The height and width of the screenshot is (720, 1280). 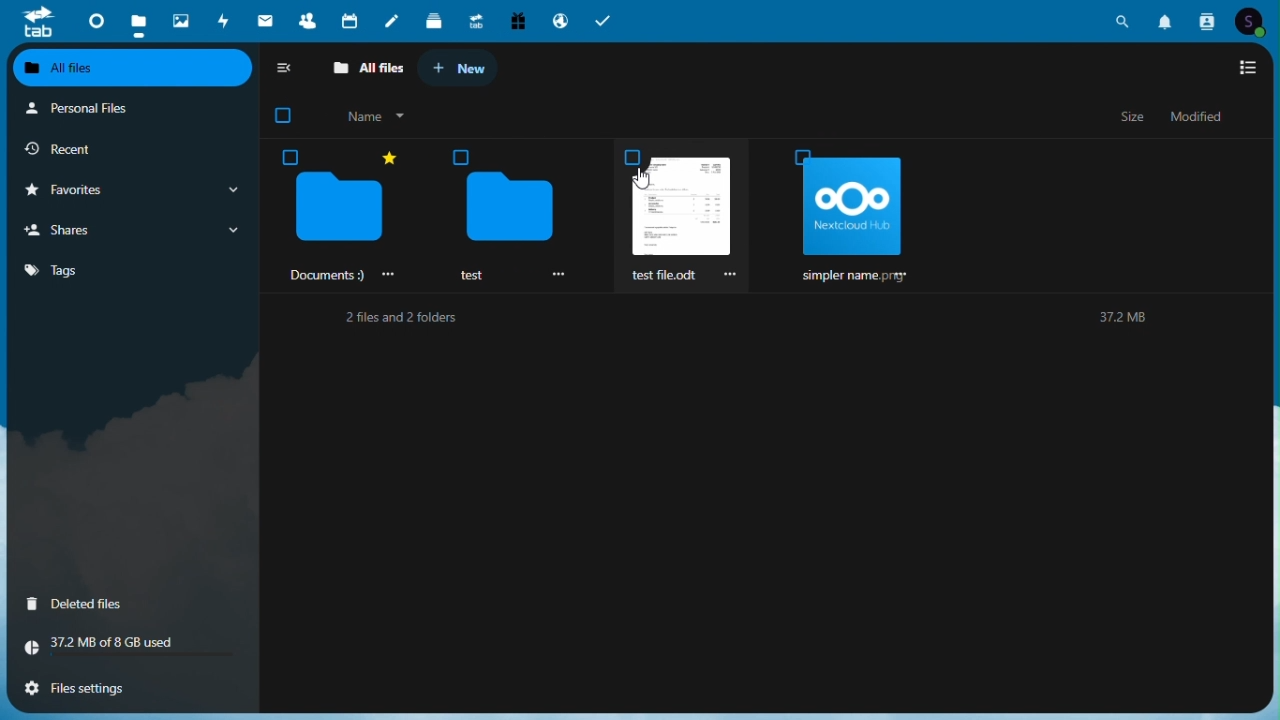 I want to click on All files, so click(x=131, y=68).